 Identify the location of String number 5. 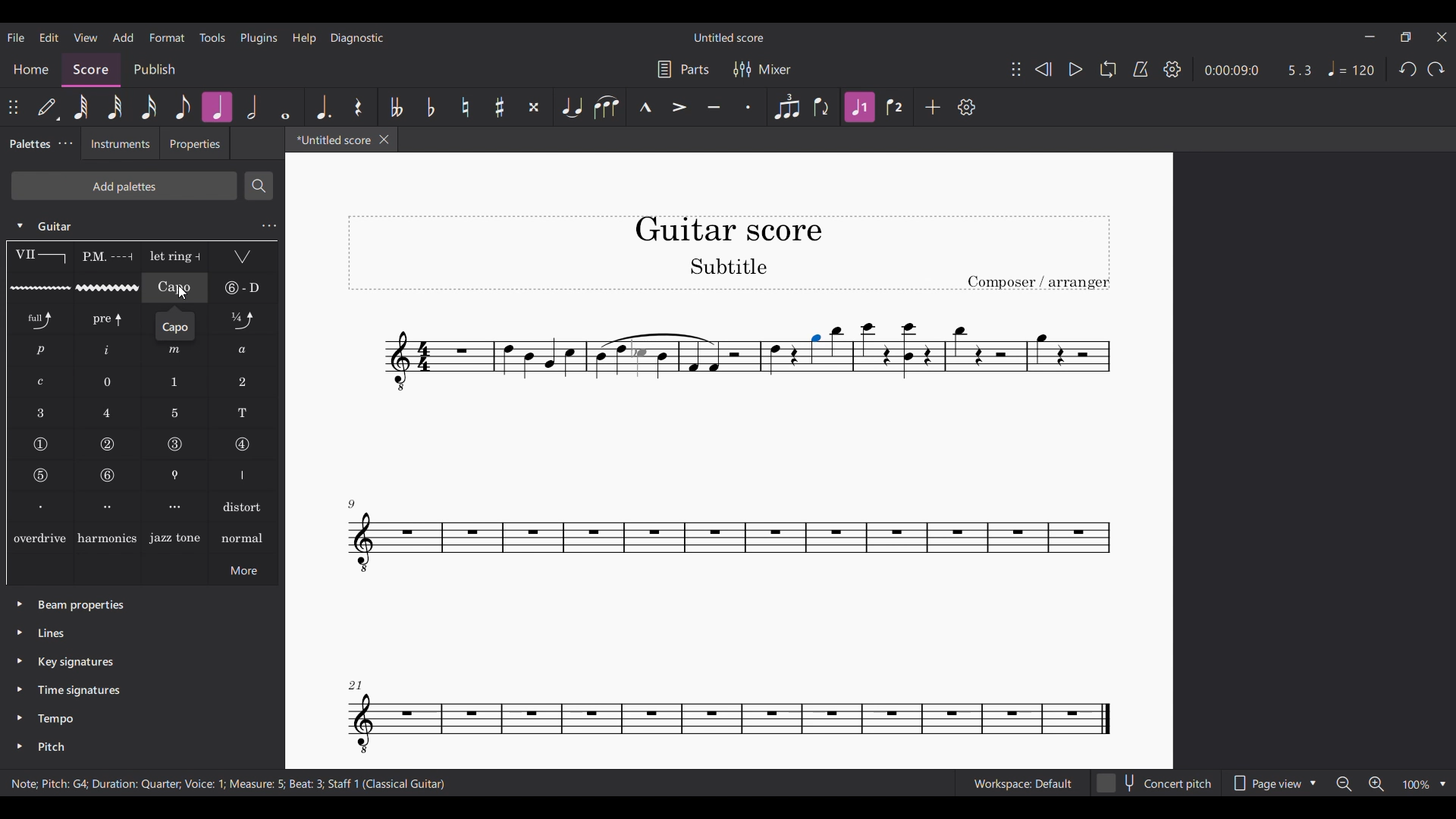
(41, 475).